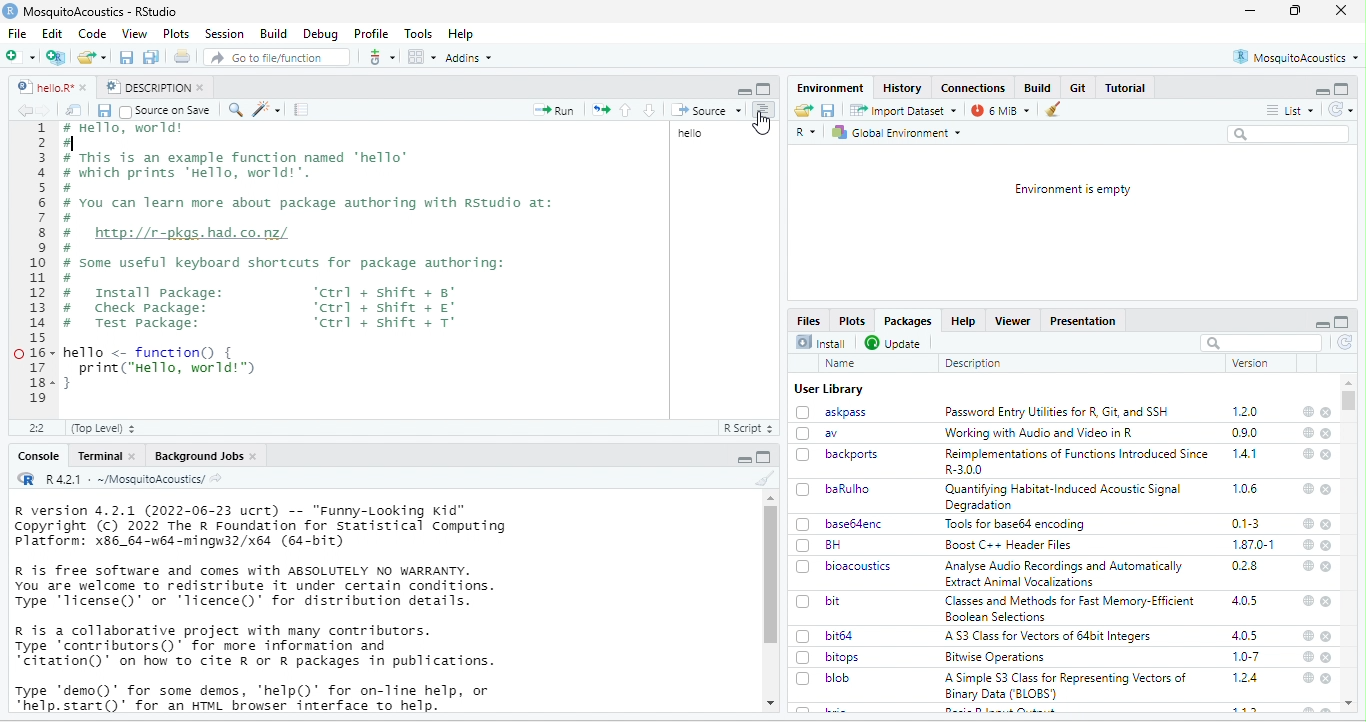 The image size is (1366, 722). Describe the element at coordinates (1255, 544) in the screenshot. I see `1.87.0-1` at that location.